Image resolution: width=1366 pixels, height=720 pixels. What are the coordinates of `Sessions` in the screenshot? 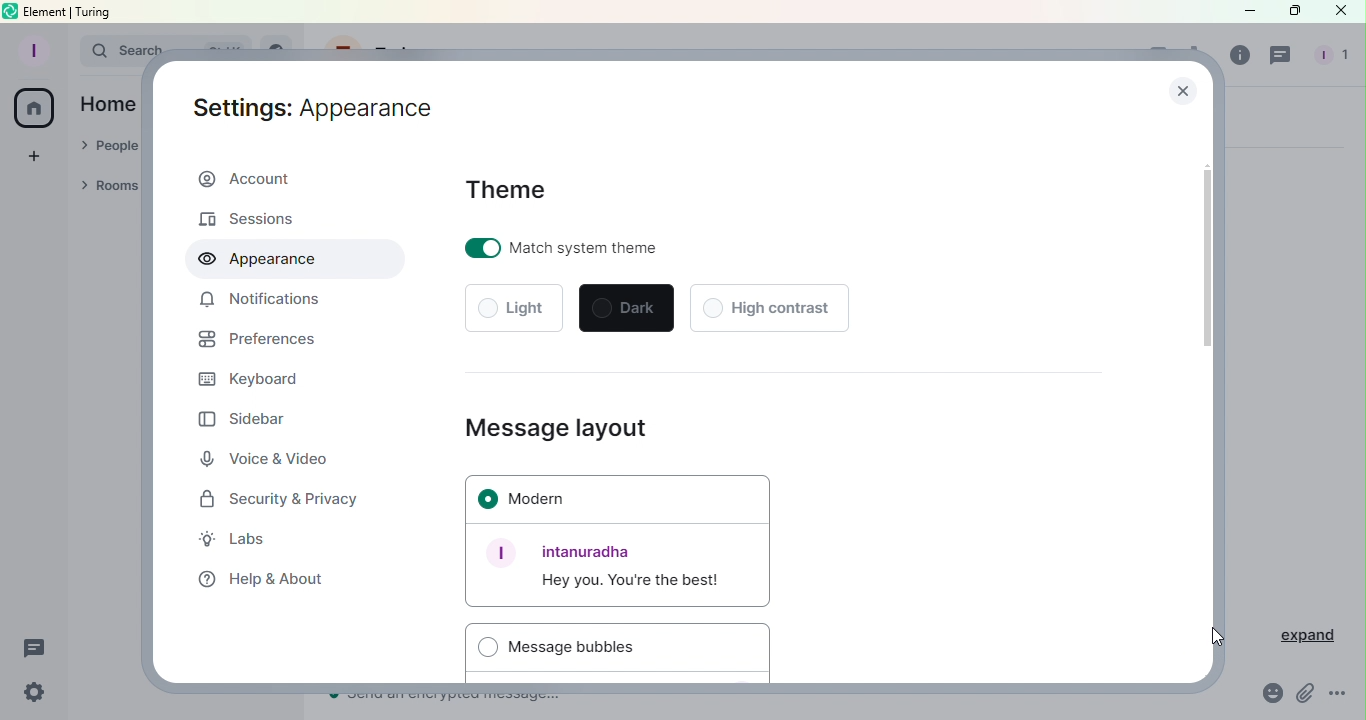 It's located at (260, 218).